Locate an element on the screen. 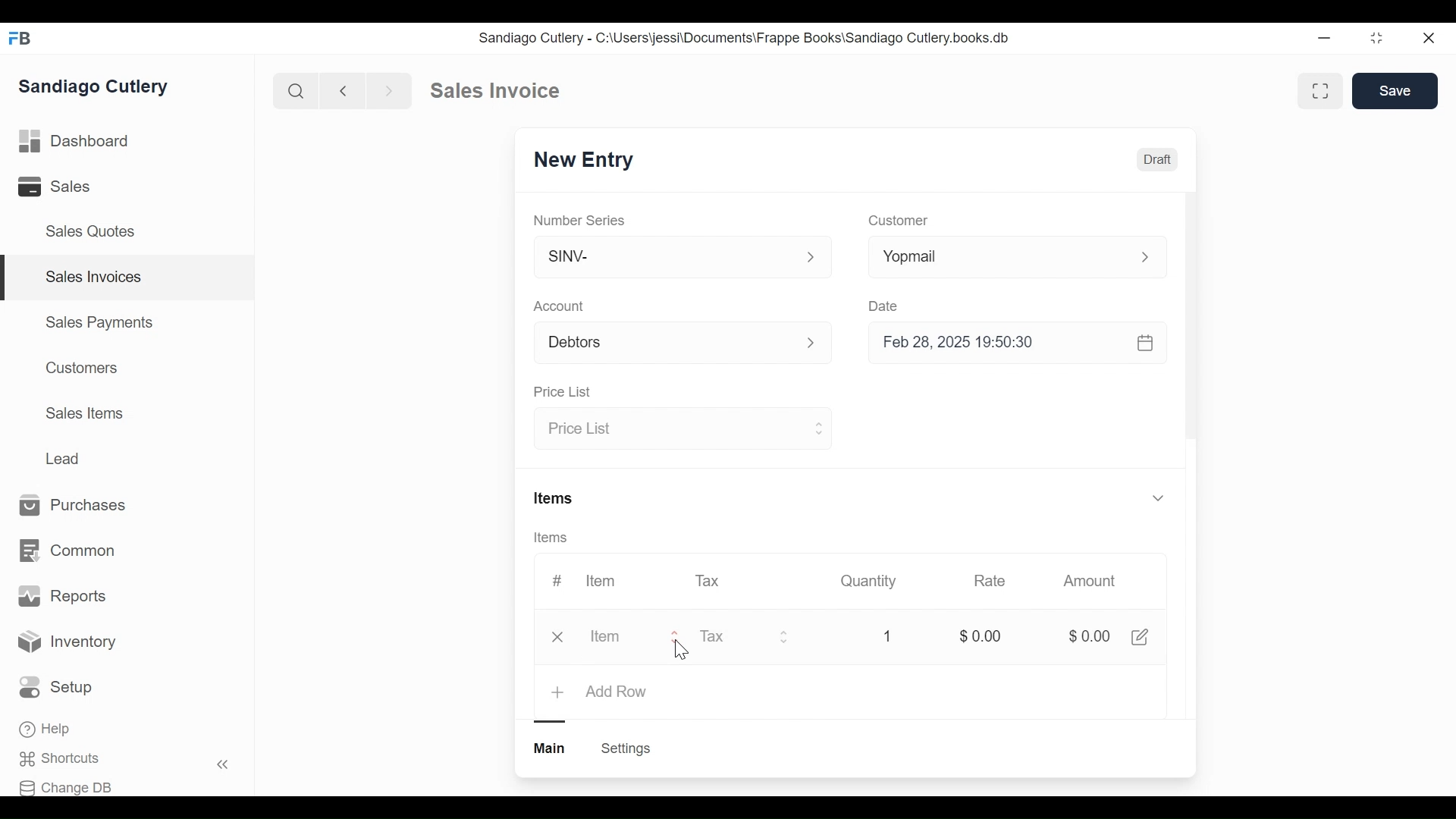 Image resolution: width=1456 pixels, height=819 pixels. Item  is located at coordinates (614, 638).